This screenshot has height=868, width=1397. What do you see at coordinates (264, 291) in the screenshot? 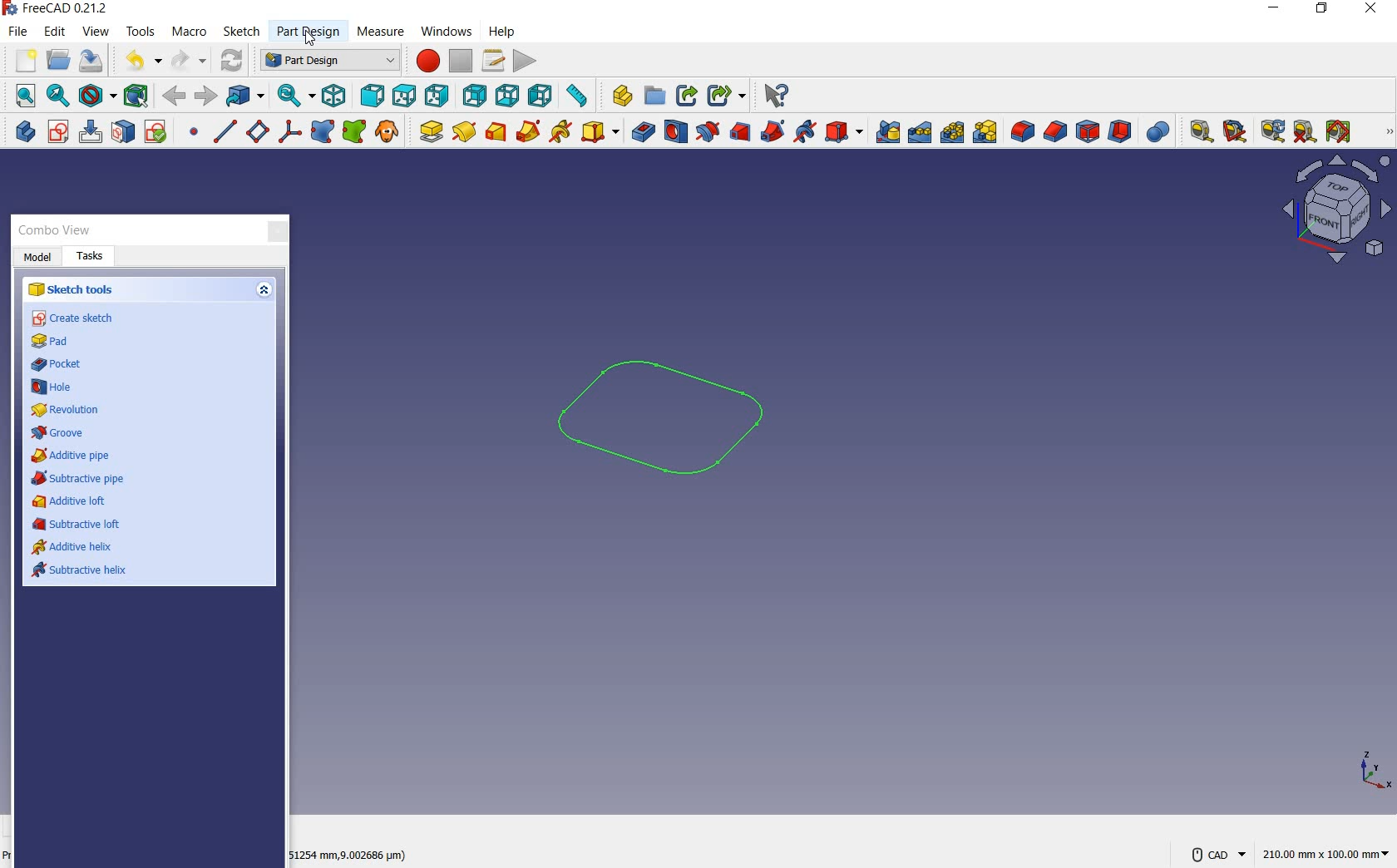
I see `Up` at bounding box center [264, 291].